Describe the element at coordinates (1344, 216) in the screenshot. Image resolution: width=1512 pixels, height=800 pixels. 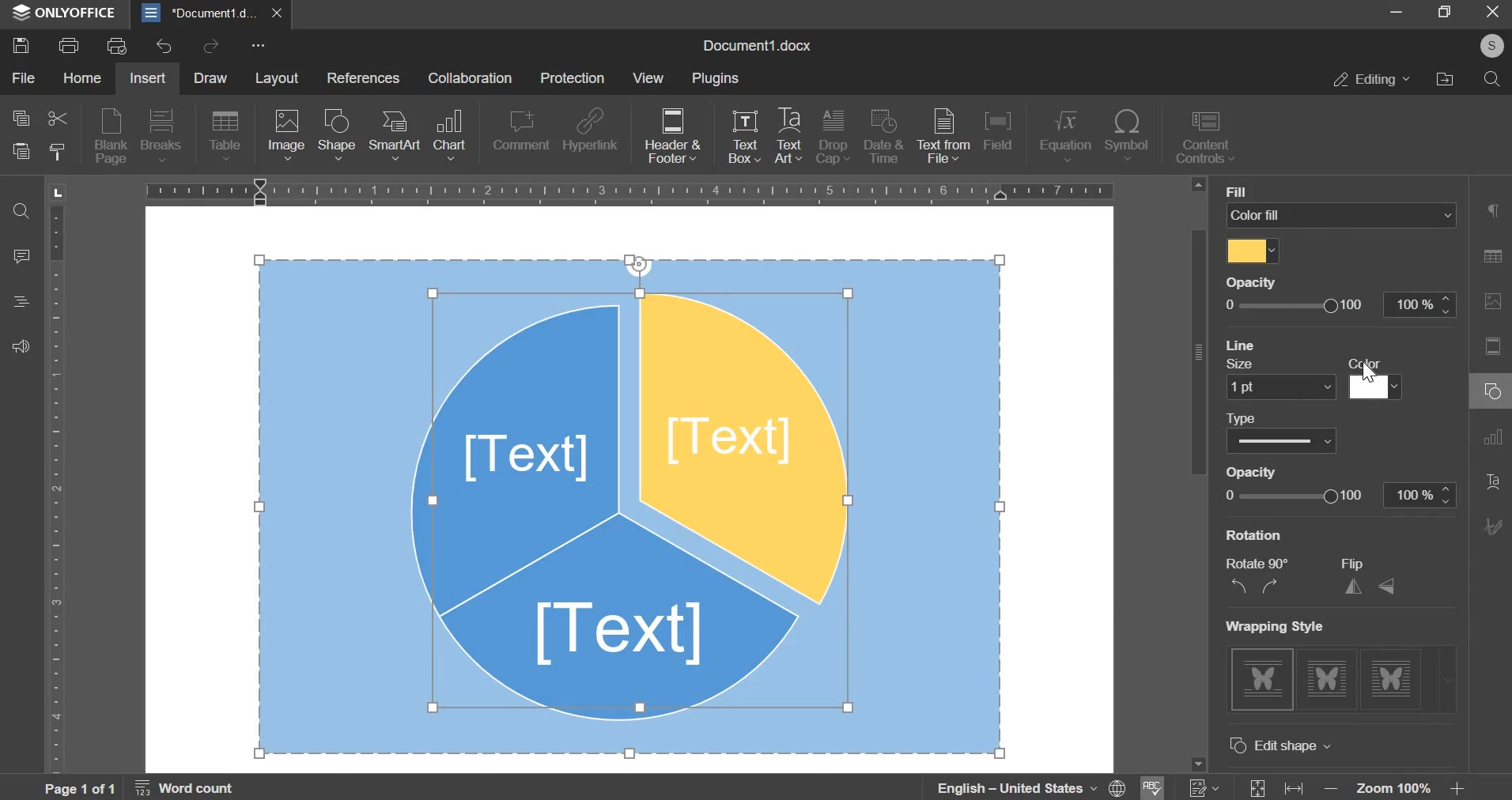
I see `fill select` at that location.